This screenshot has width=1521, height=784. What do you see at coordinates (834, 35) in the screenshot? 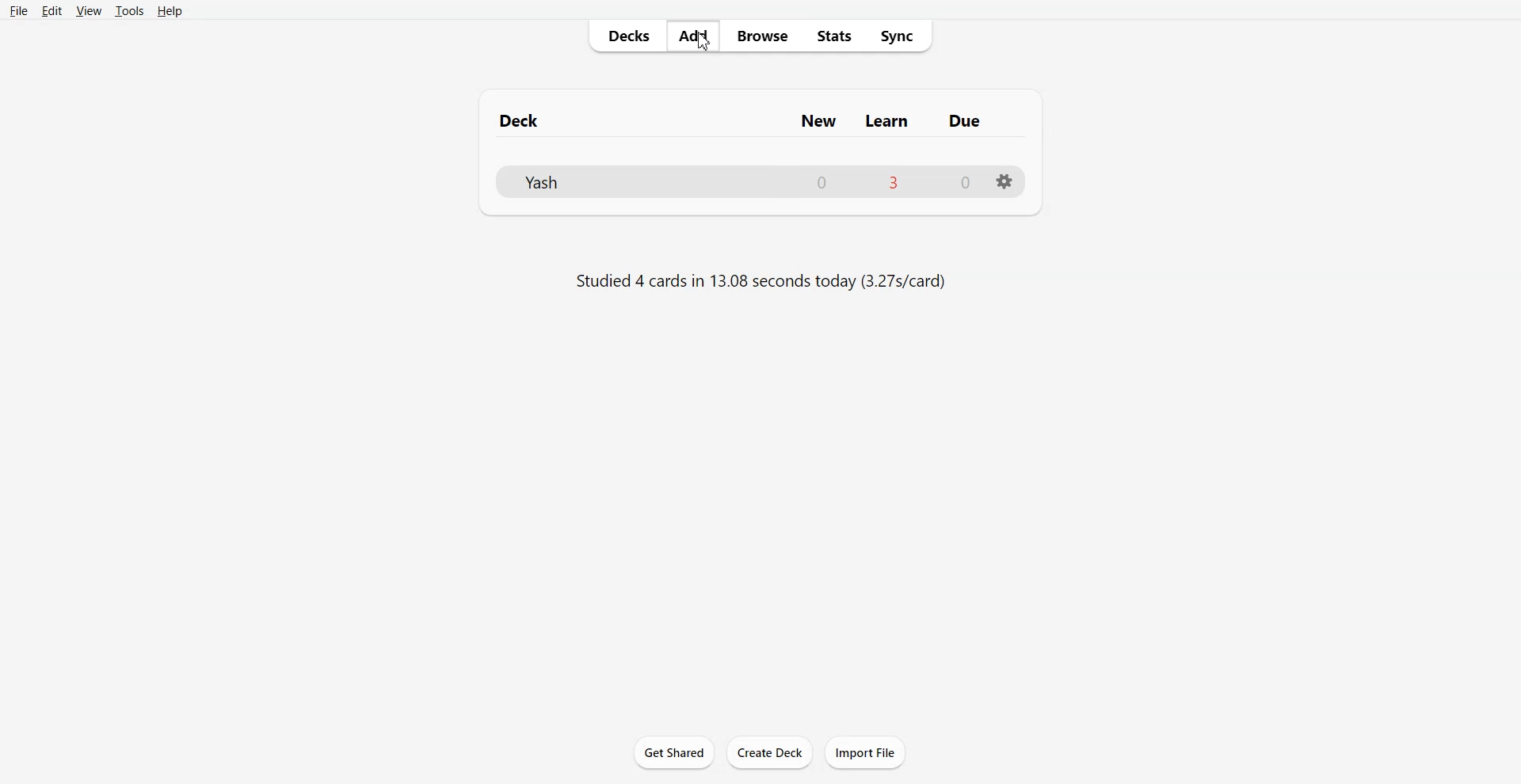
I see `Stats` at bounding box center [834, 35].